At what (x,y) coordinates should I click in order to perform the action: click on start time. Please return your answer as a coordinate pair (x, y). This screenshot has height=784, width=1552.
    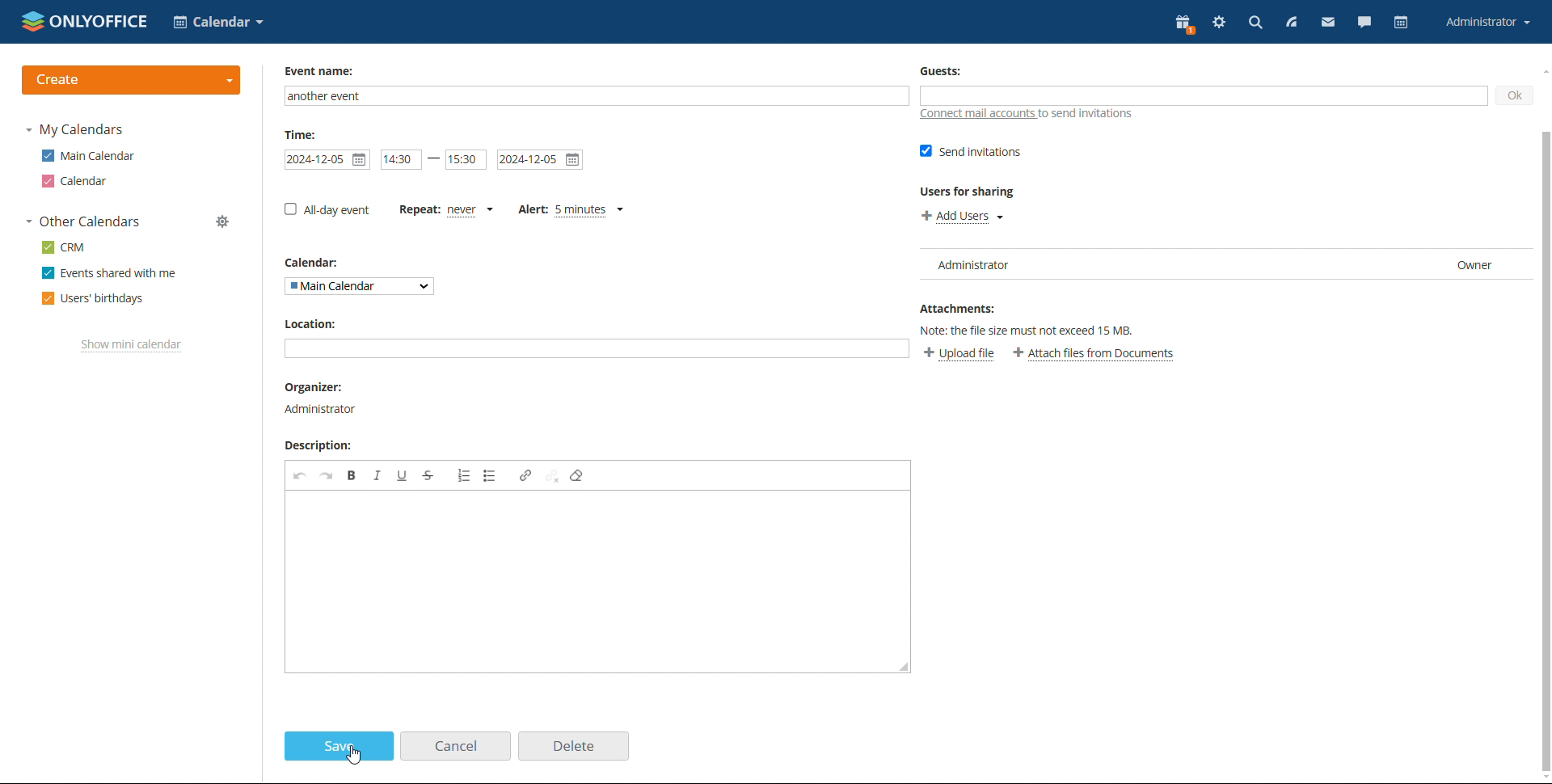
    Looking at the image, I should click on (403, 160).